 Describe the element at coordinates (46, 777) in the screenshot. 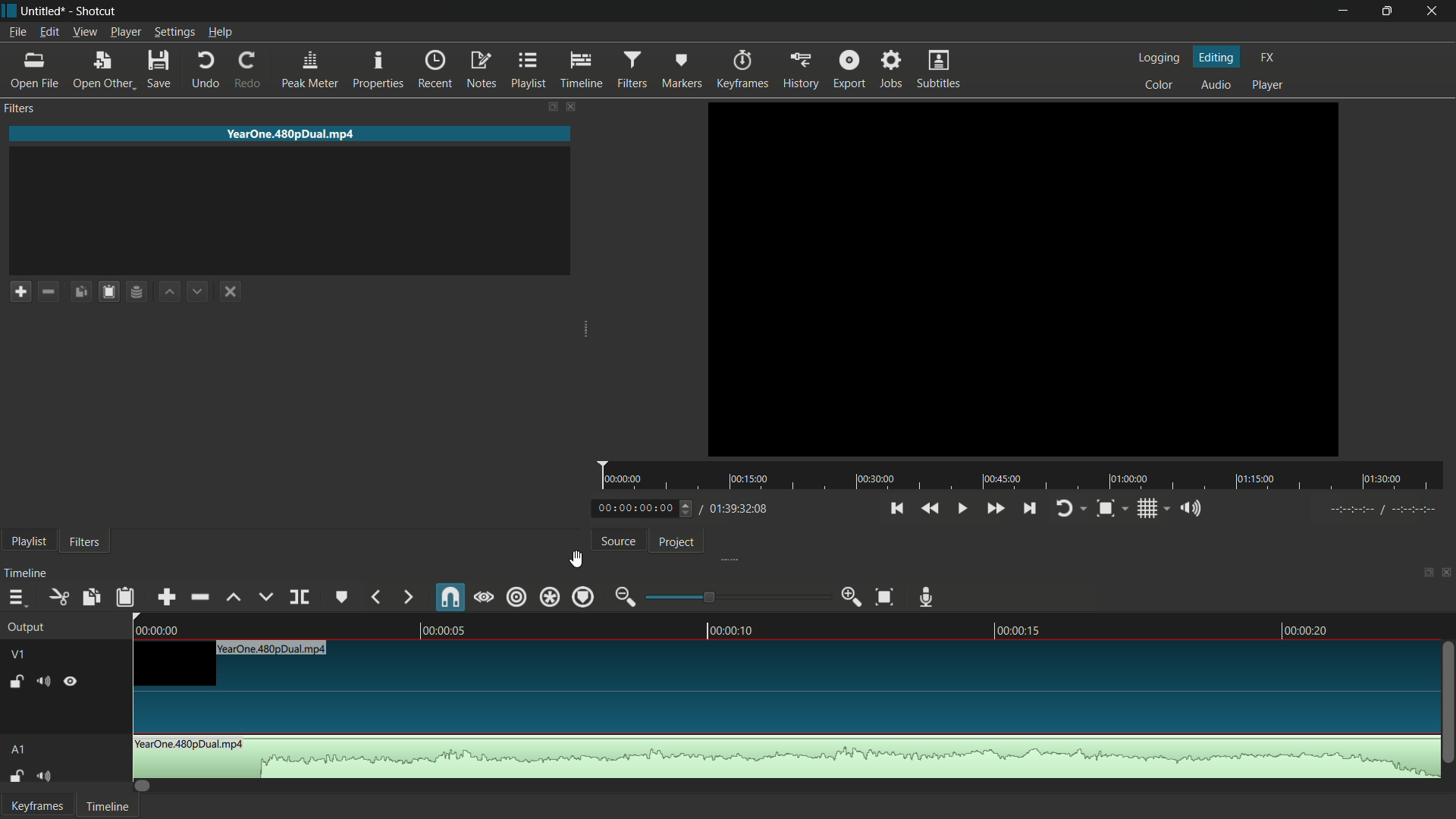

I see `mute` at that location.